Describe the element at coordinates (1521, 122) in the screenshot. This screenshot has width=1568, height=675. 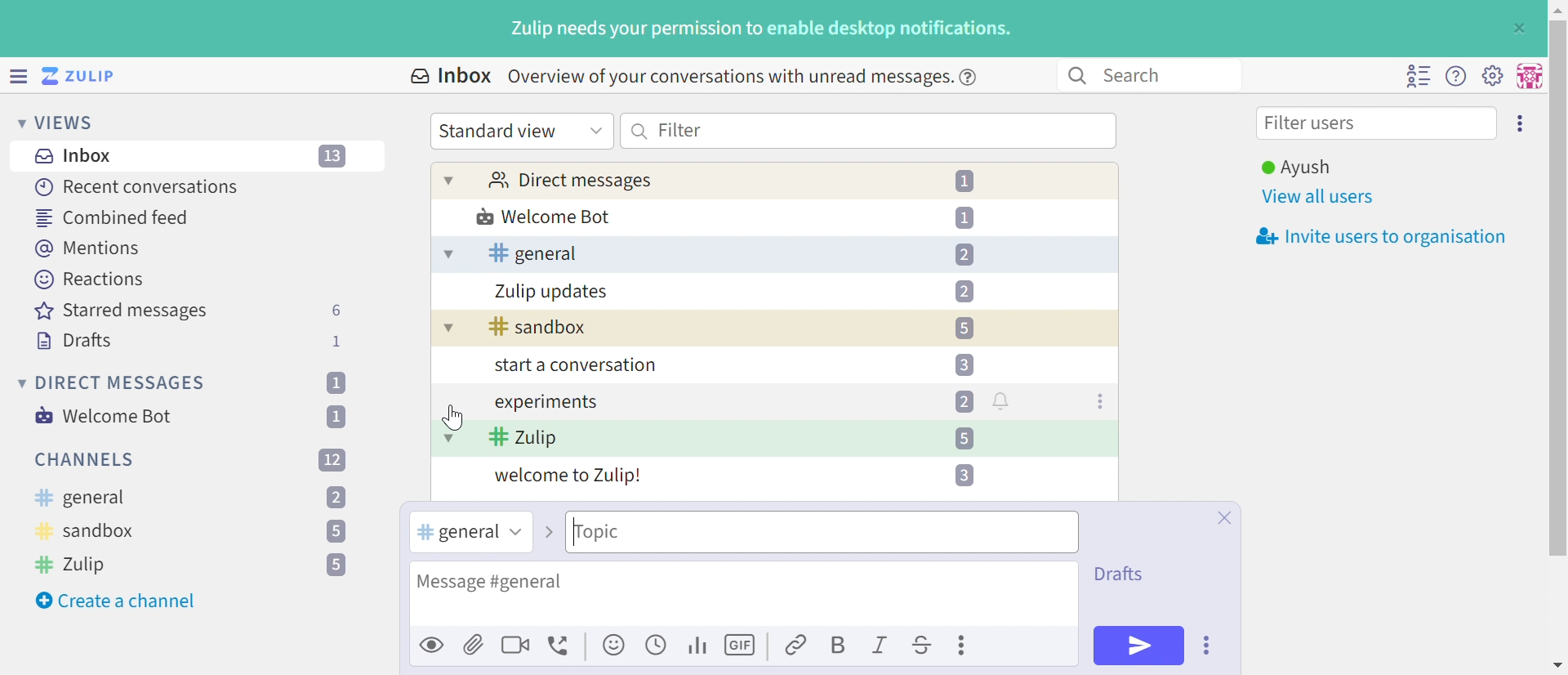
I see `Invite users to organisation` at that location.